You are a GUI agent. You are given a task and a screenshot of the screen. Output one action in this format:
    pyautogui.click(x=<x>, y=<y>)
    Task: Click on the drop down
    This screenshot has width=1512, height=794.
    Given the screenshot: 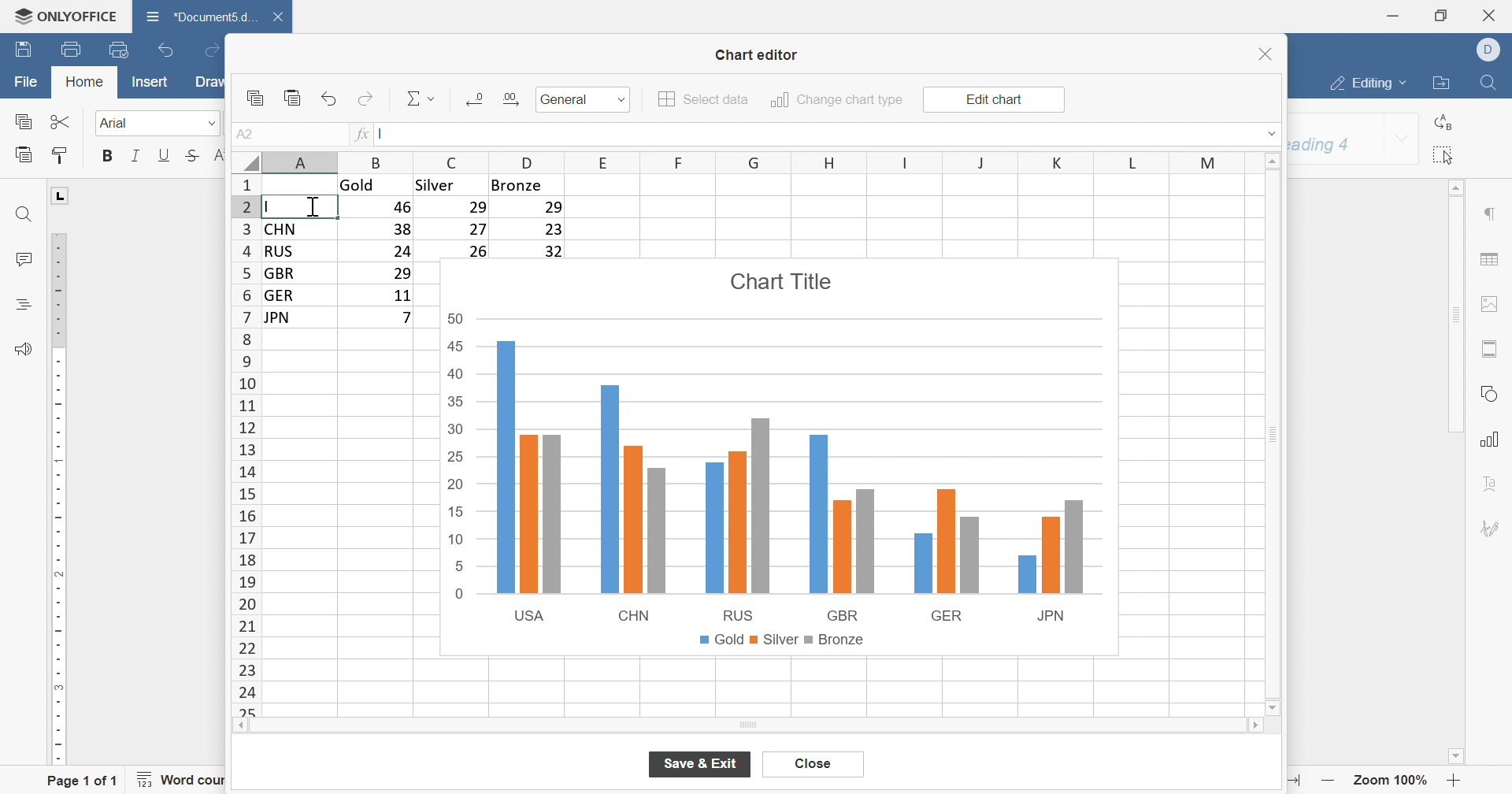 What is the action you would take?
    pyautogui.click(x=623, y=100)
    